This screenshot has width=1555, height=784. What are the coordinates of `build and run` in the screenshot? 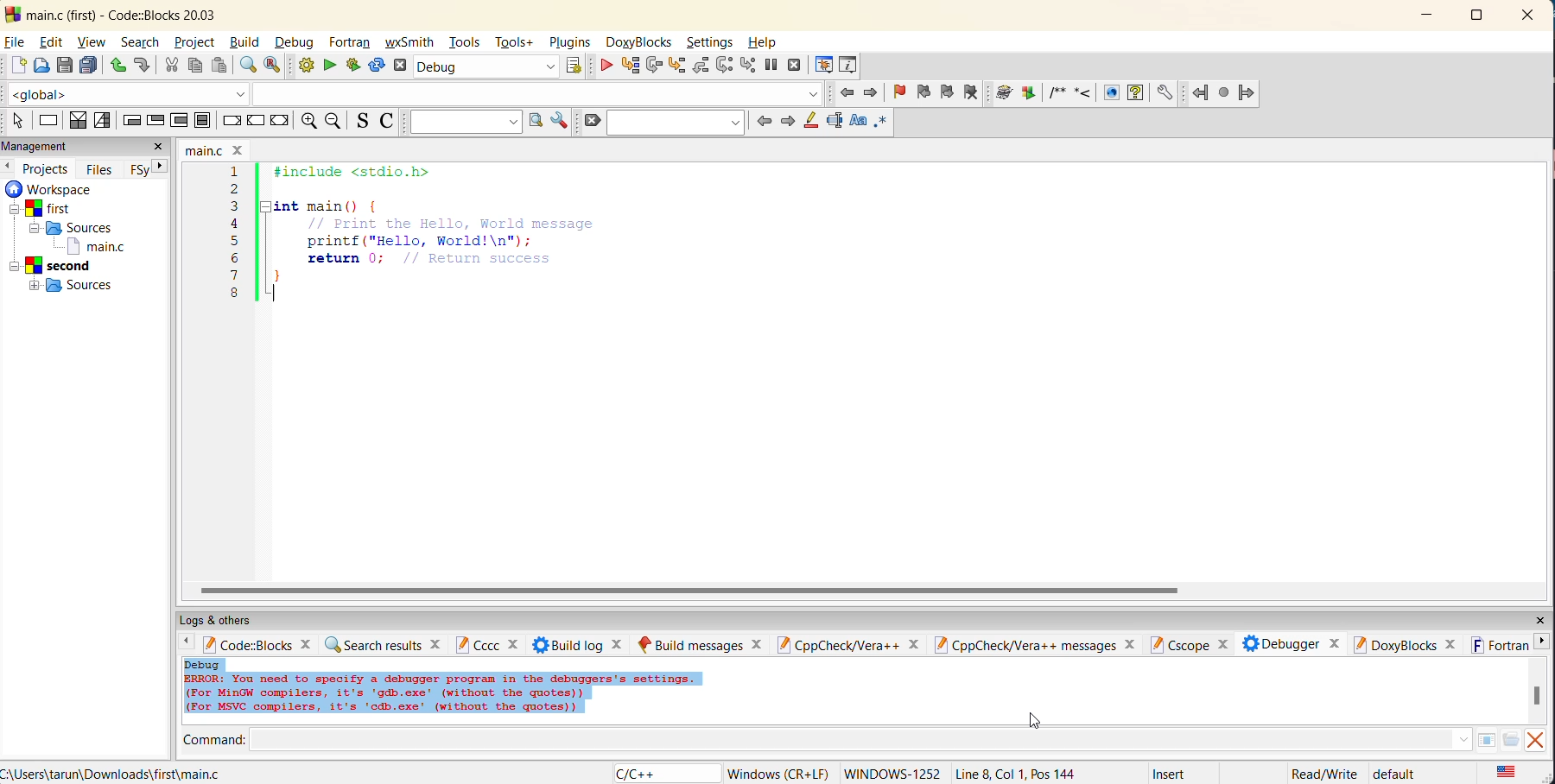 It's located at (354, 65).